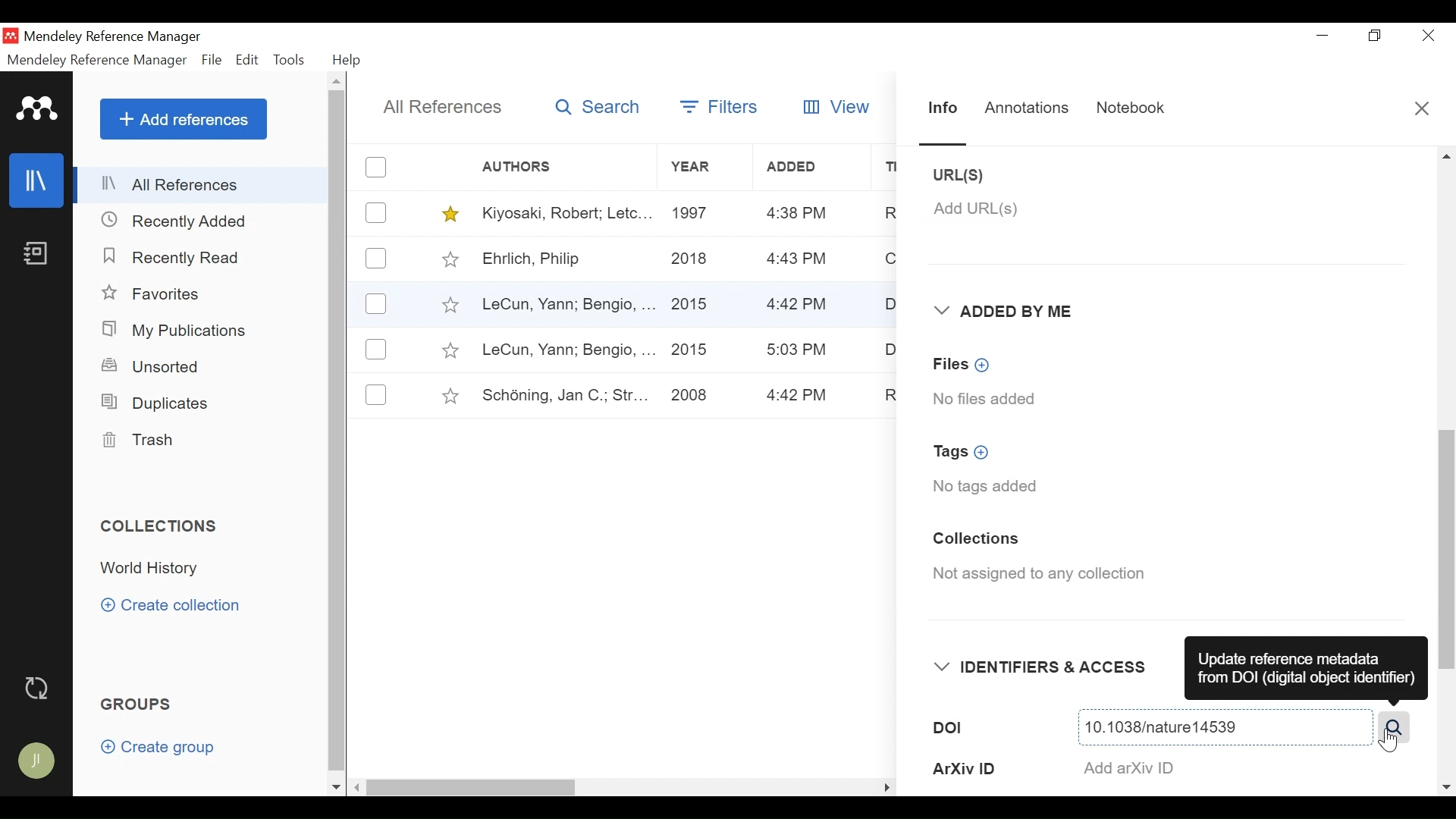 This screenshot has width=1456, height=819. Describe the element at coordinates (529, 168) in the screenshot. I see `Authors` at that location.